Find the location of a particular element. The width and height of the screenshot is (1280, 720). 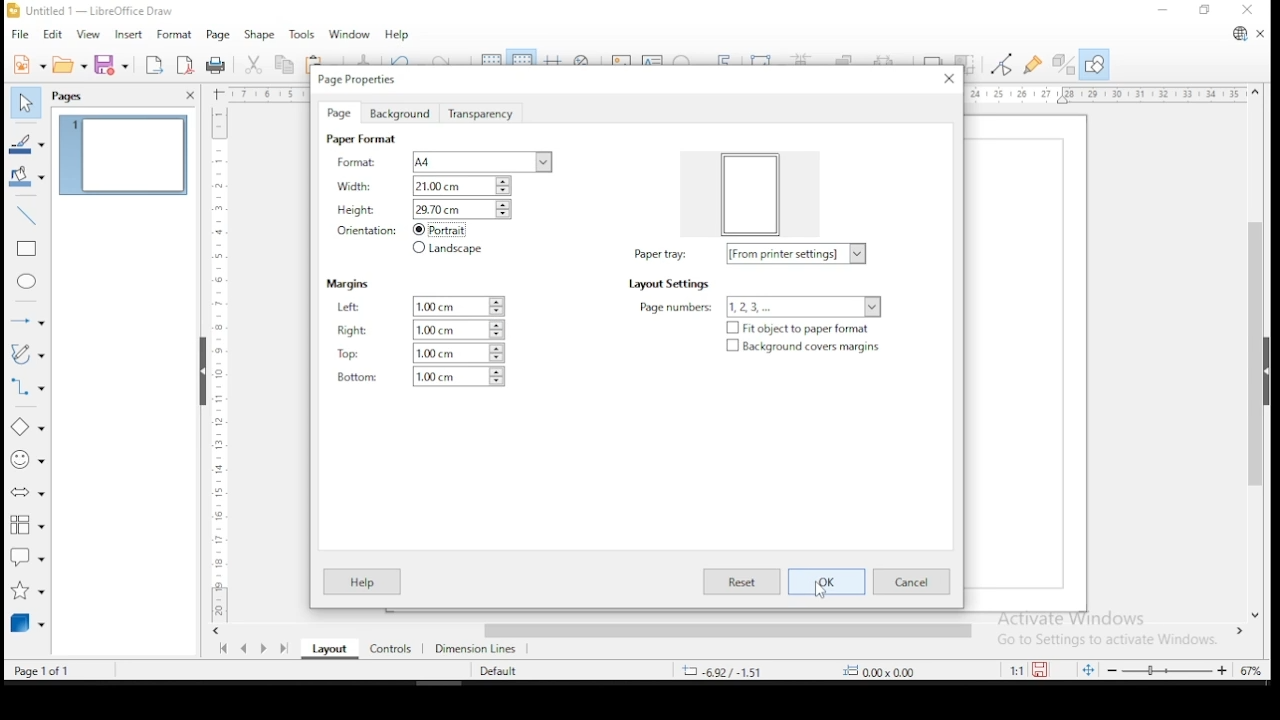

layout settings is located at coordinates (750, 253).